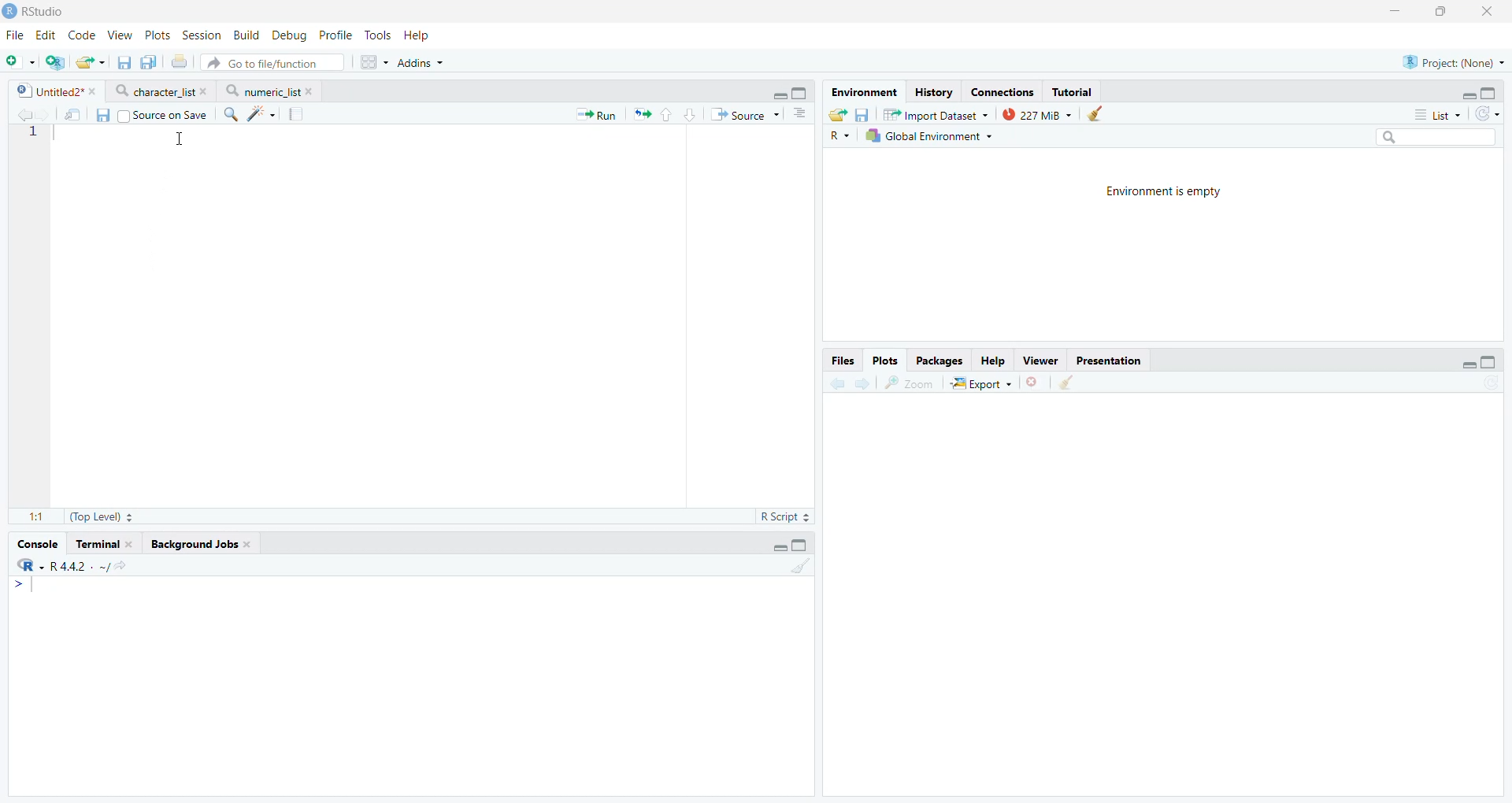  What do you see at coordinates (839, 115) in the screenshot?
I see `Export history log` at bounding box center [839, 115].